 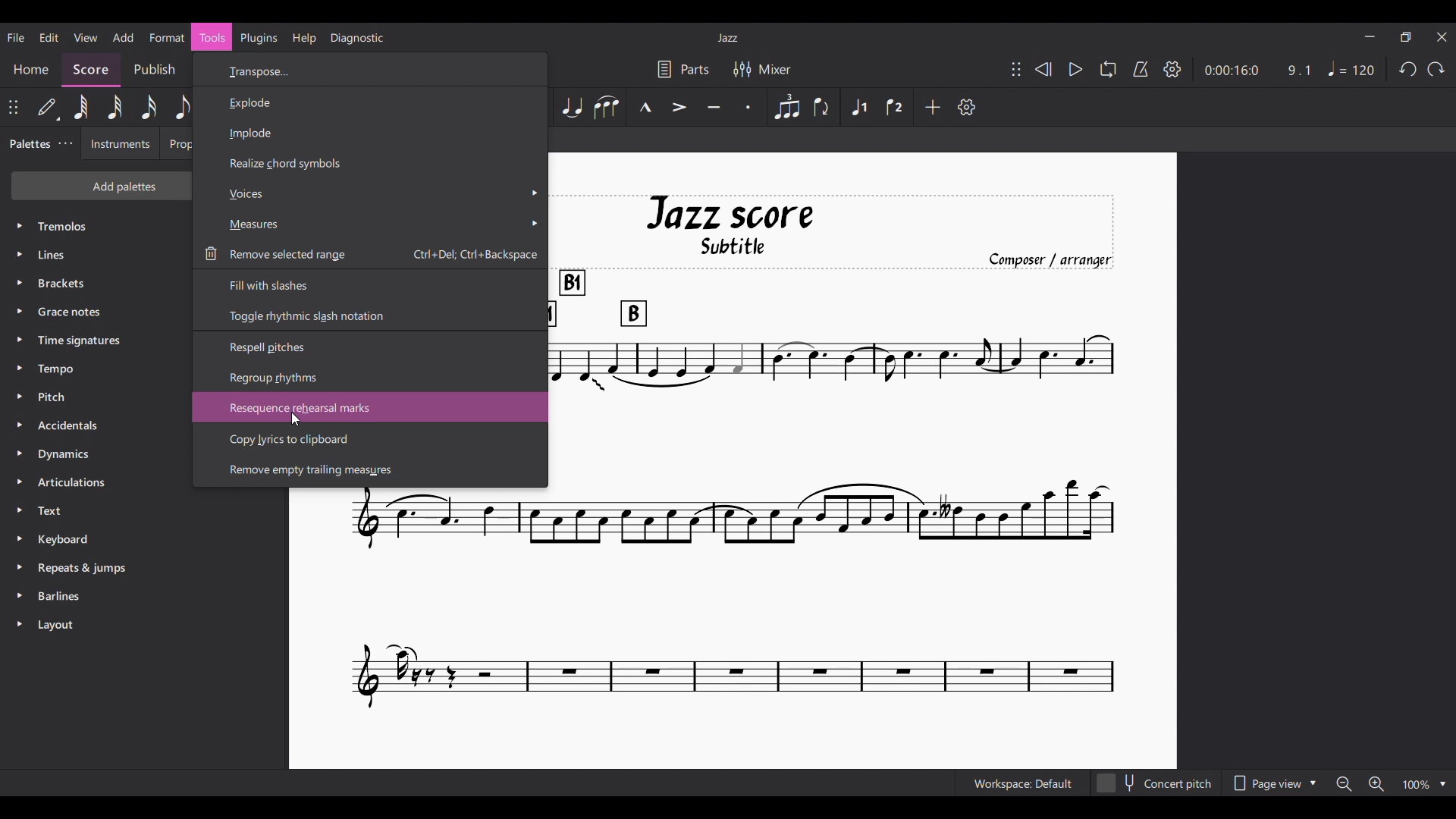 I want to click on Tremolos, so click(x=96, y=227).